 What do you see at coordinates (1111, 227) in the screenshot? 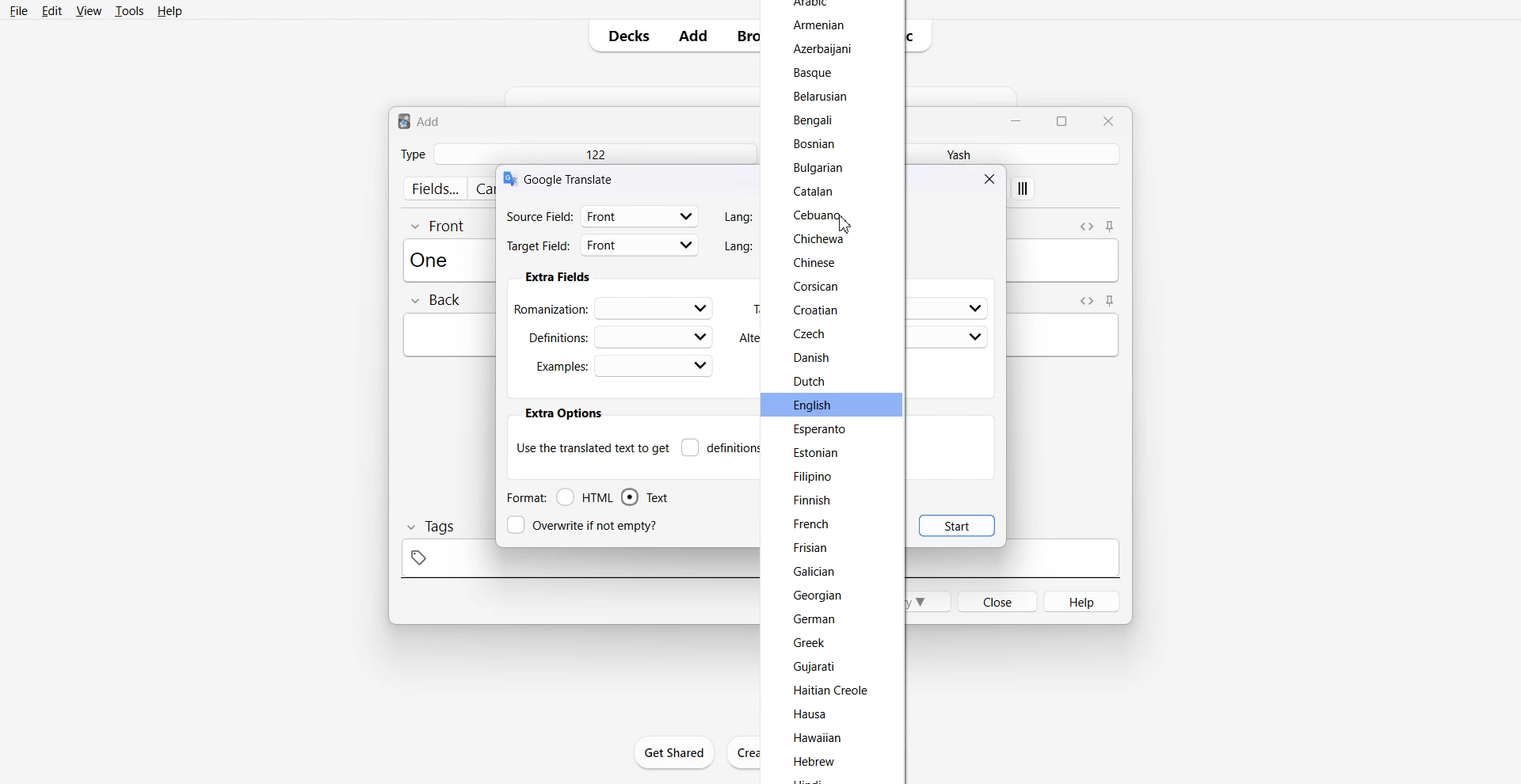
I see `Toggle sticky` at bounding box center [1111, 227].